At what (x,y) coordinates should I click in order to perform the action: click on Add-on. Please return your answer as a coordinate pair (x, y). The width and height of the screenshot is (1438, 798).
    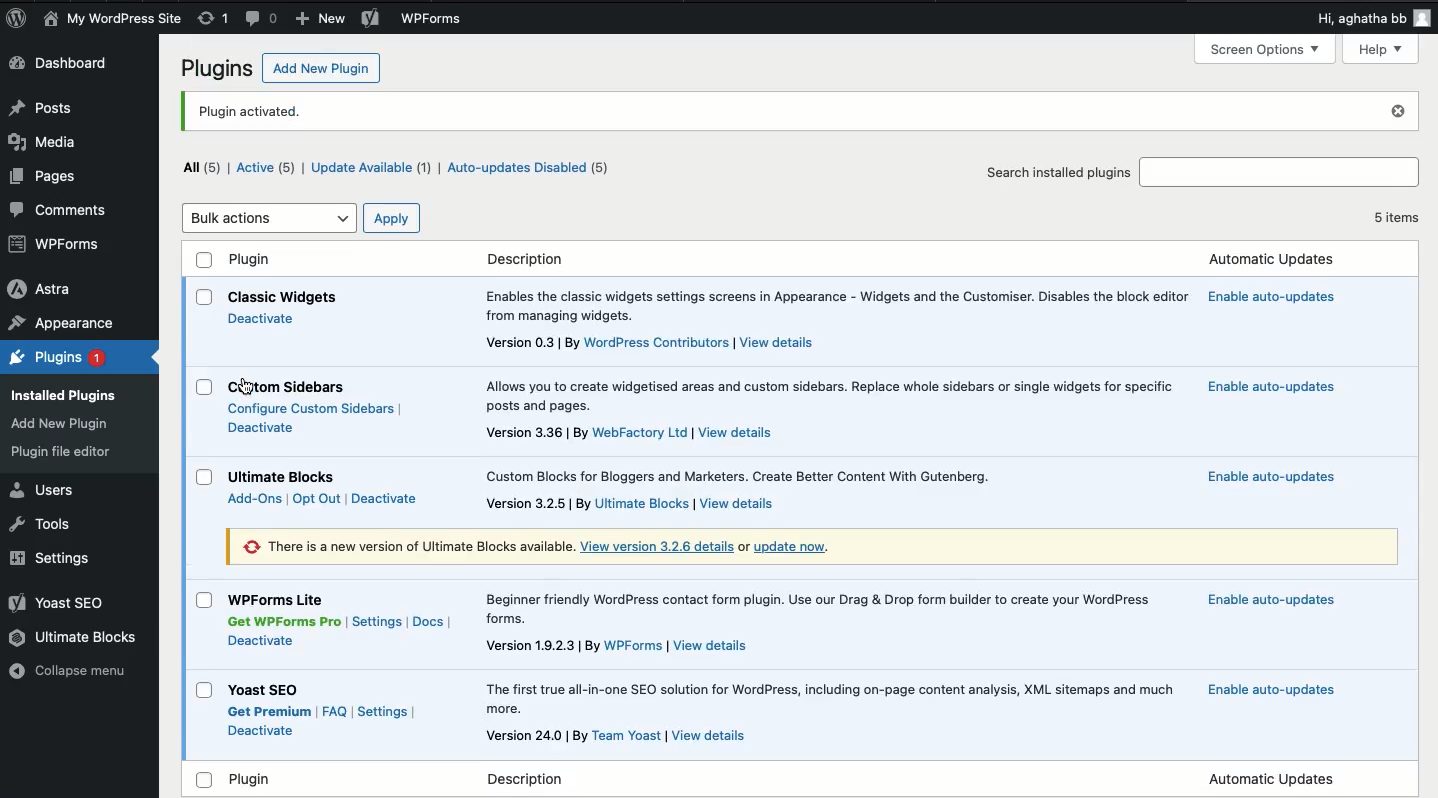
    Looking at the image, I should click on (256, 501).